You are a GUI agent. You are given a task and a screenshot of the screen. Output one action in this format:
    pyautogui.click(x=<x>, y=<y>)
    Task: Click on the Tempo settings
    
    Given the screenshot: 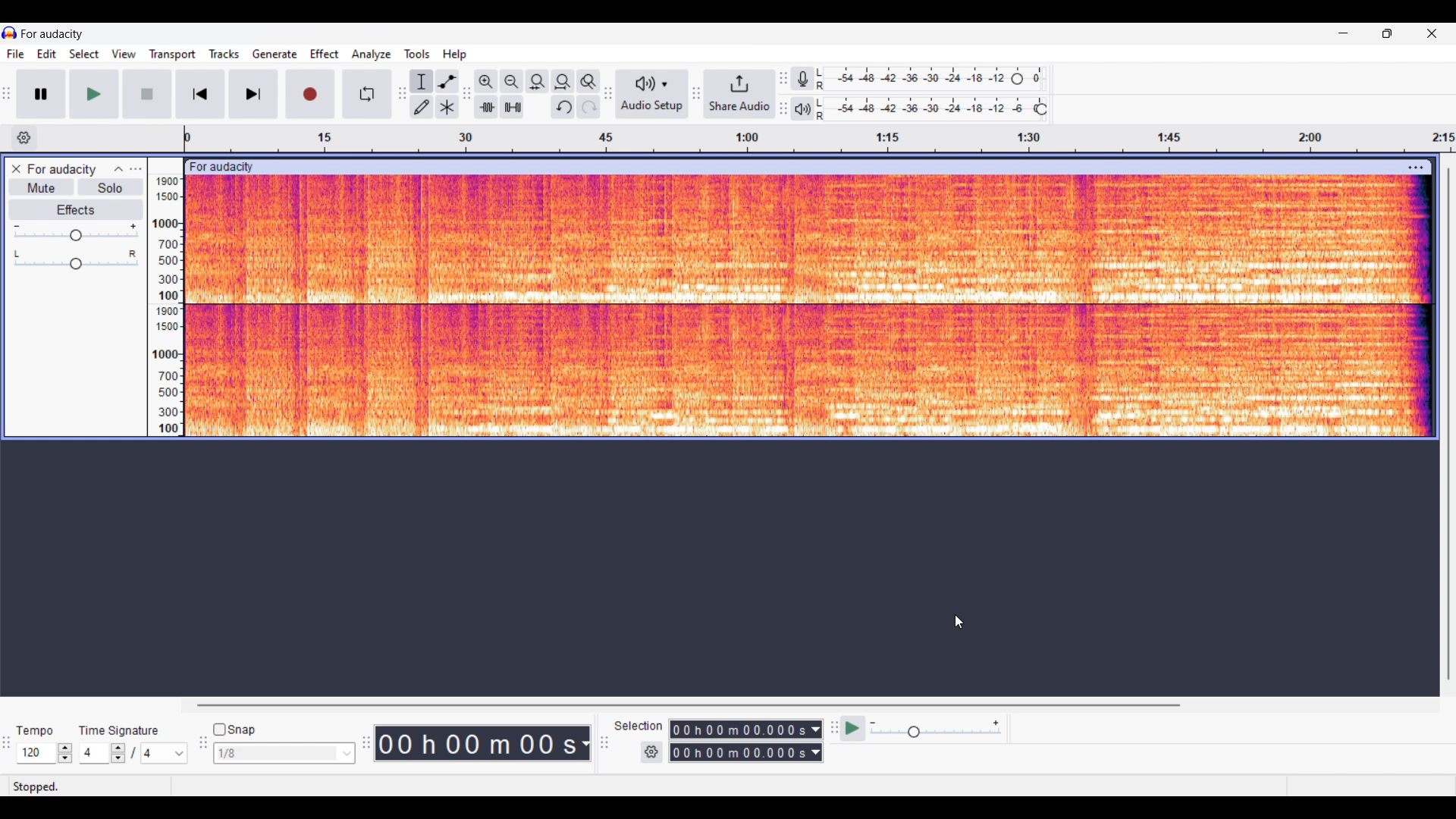 What is the action you would take?
    pyautogui.click(x=45, y=753)
    